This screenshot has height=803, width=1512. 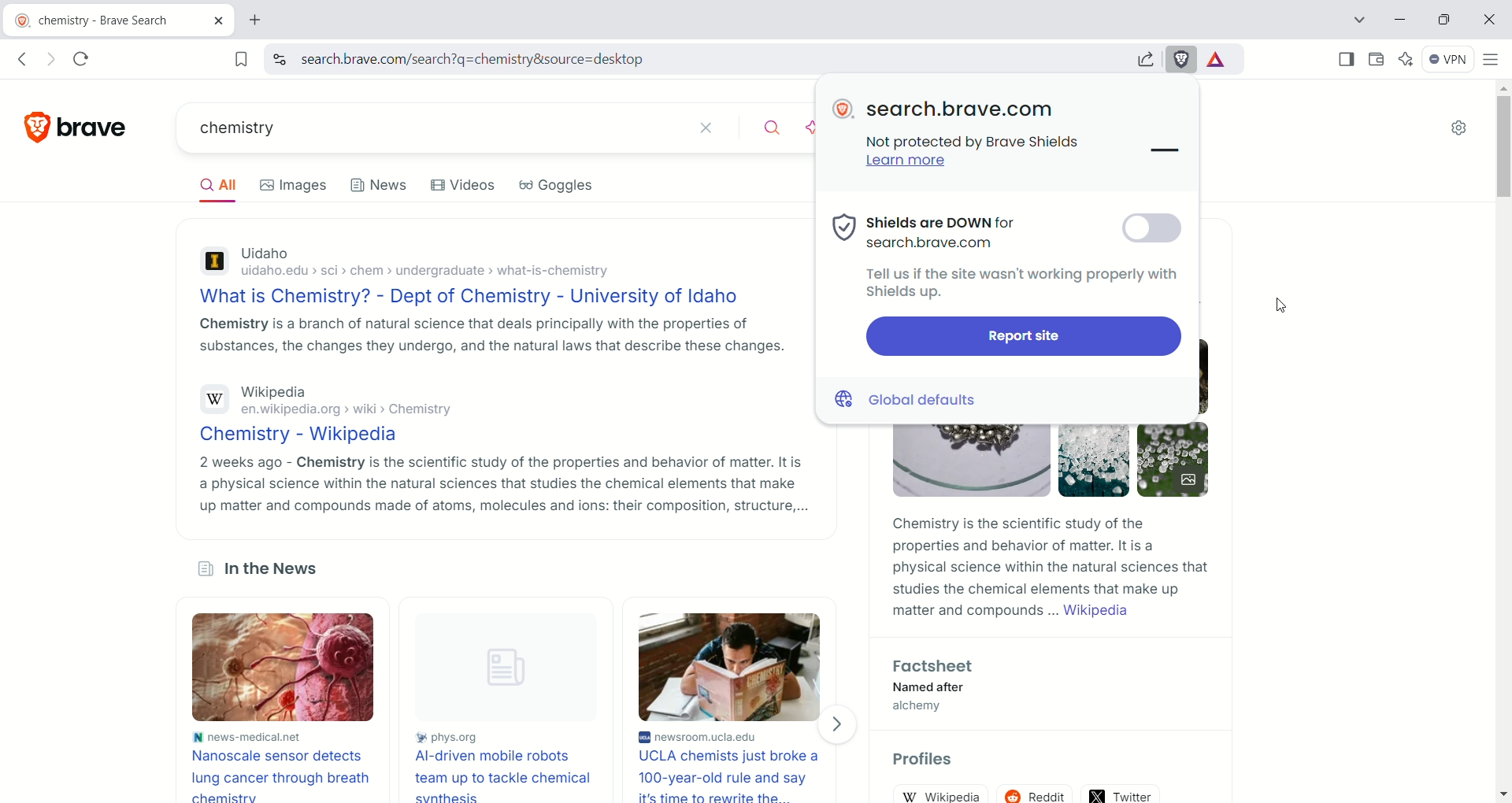 What do you see at coordinates (558, 185) in the screenshot?
I see `Goggles` at bounding box center [558, 185].